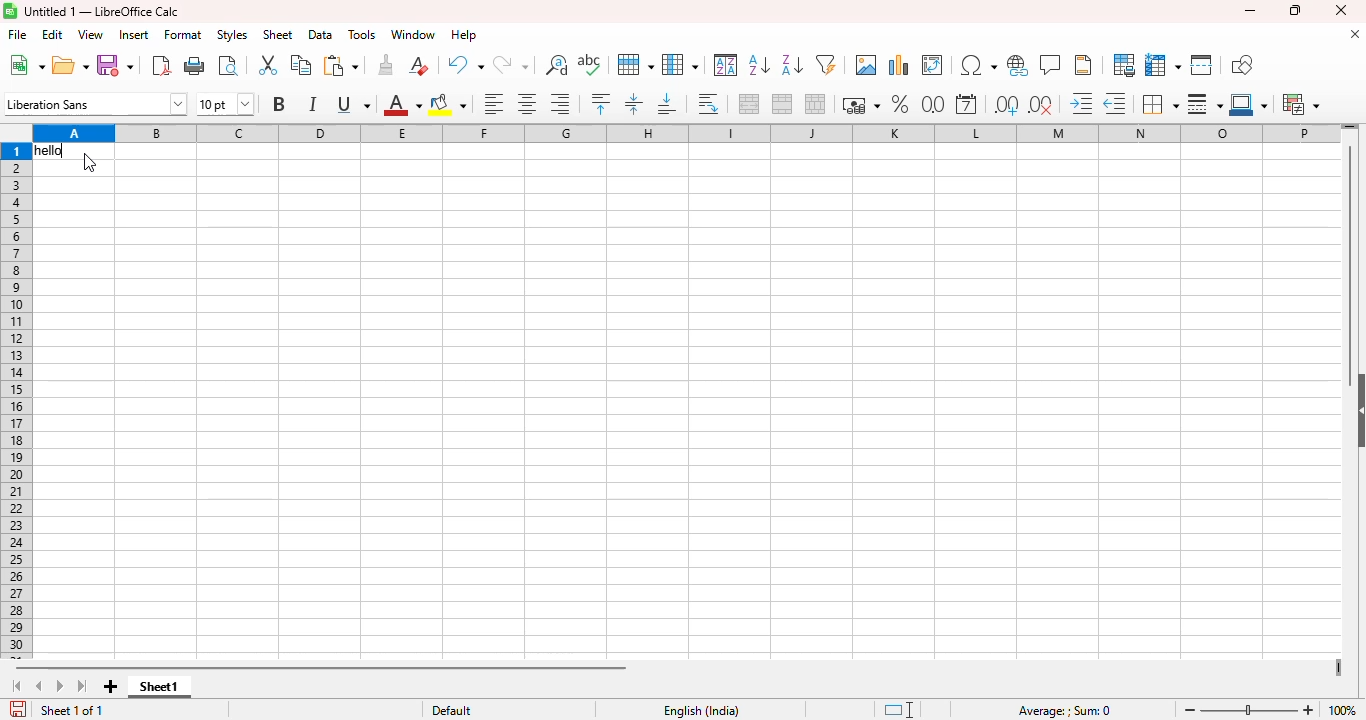 The height and width of the screenshot is (720, 1366). I want to click on decrease indent, so click(1115, 104).